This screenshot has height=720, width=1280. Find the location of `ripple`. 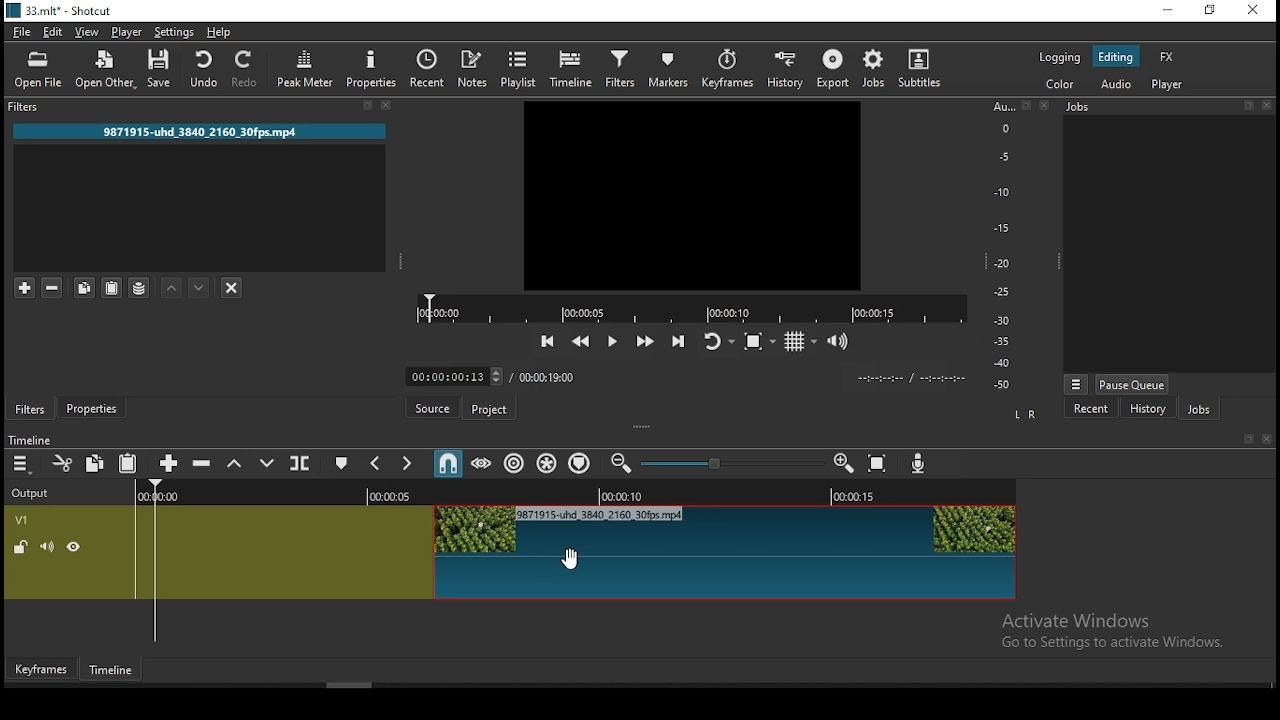

ripple is located at coordinates (516, 464).